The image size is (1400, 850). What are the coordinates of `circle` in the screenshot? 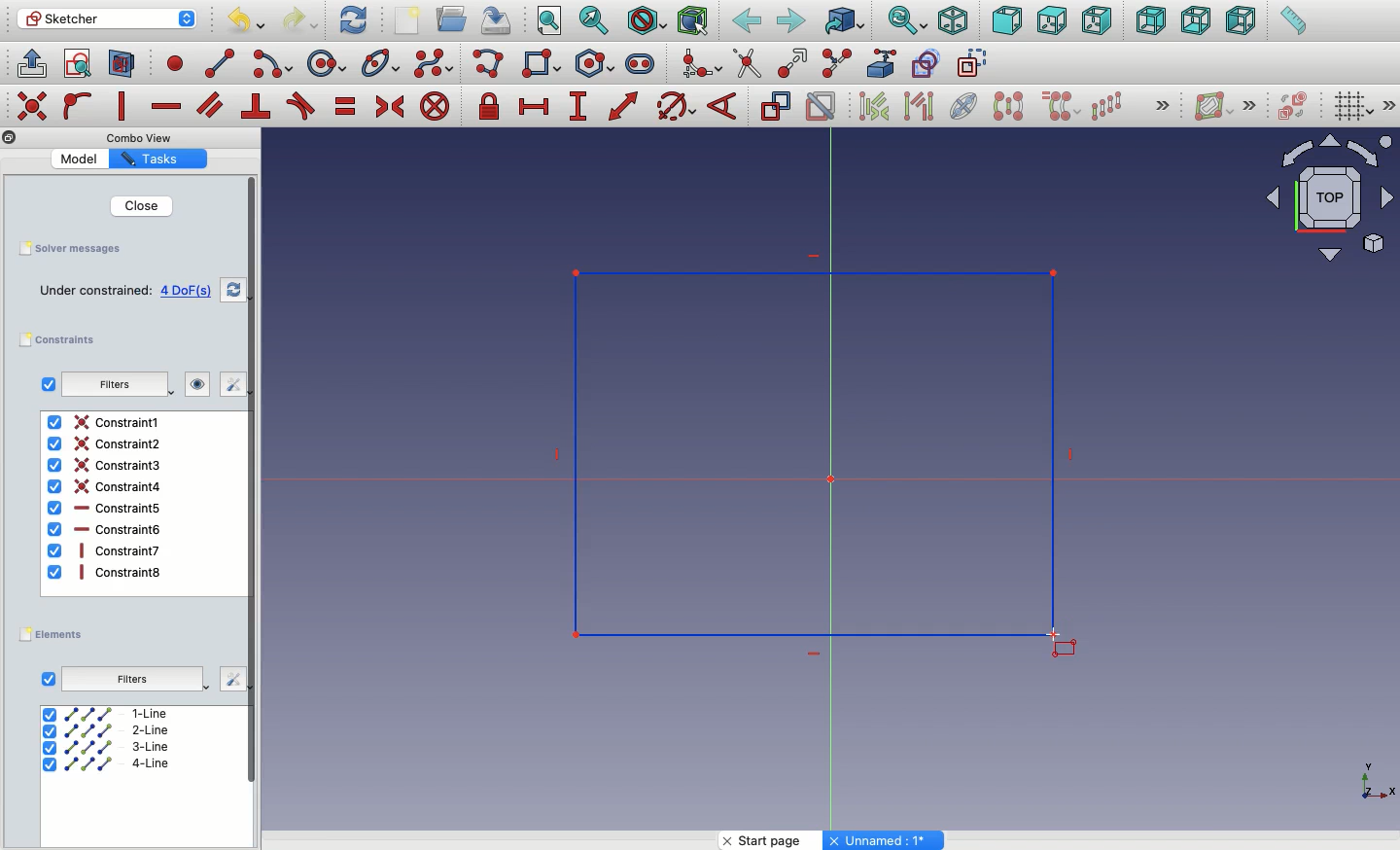 It's located at (327, 64).